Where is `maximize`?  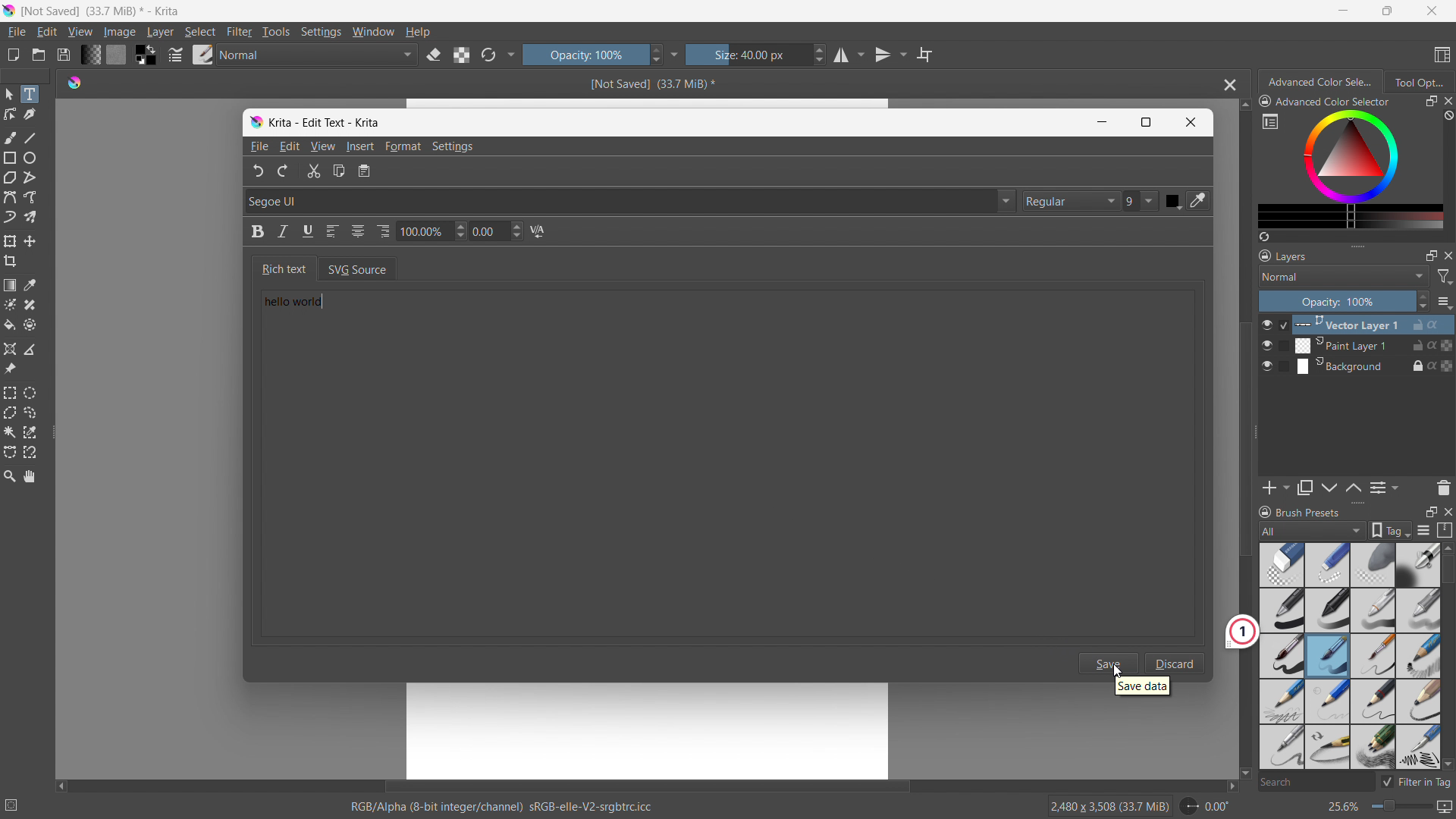 maximize is located at coordinates (1385, 11).